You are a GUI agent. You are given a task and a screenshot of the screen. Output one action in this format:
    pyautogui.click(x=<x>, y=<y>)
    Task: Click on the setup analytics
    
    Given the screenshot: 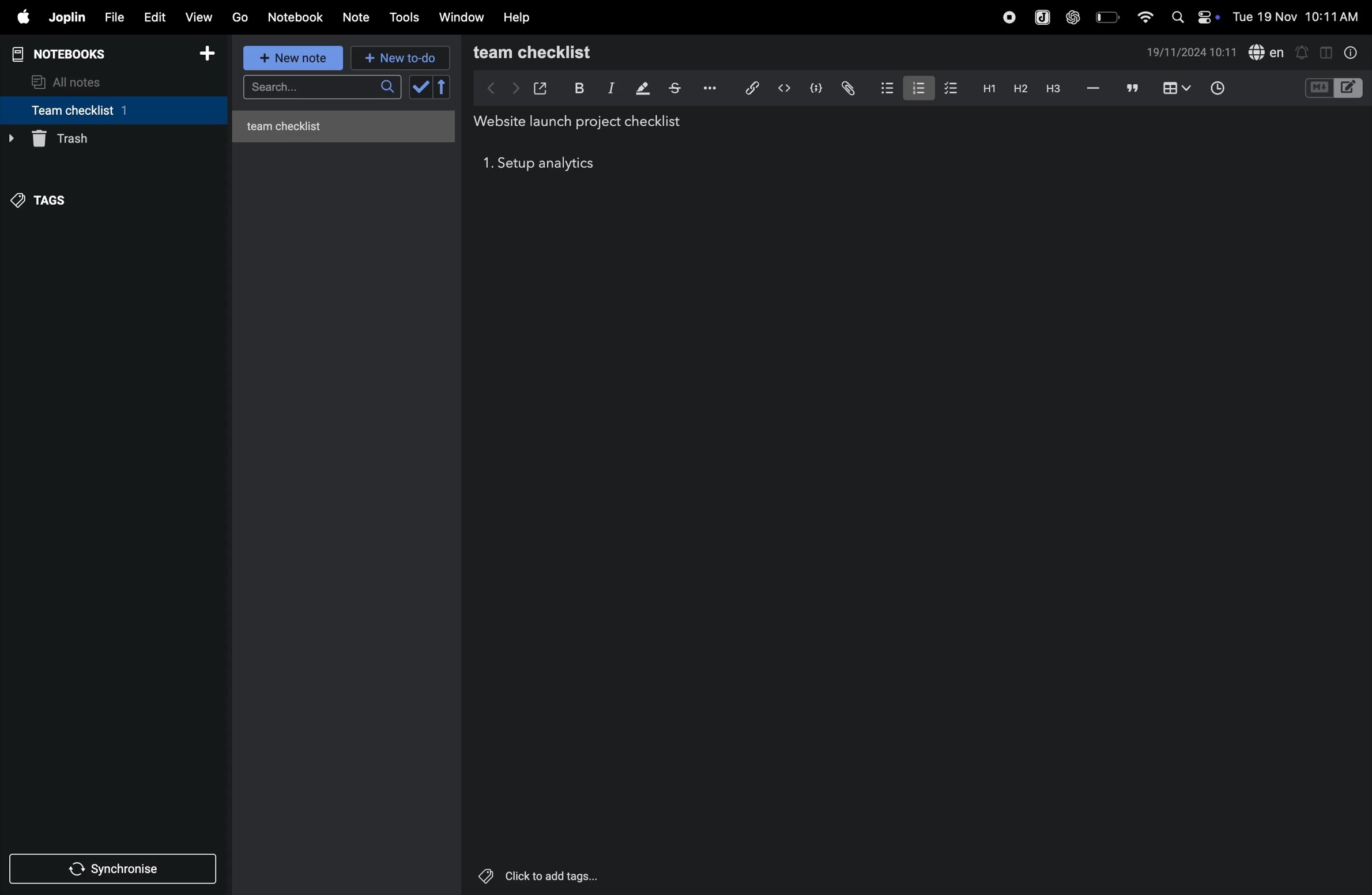 What is the action you would take?
    pyautogui.click(x=551, y=165)
    